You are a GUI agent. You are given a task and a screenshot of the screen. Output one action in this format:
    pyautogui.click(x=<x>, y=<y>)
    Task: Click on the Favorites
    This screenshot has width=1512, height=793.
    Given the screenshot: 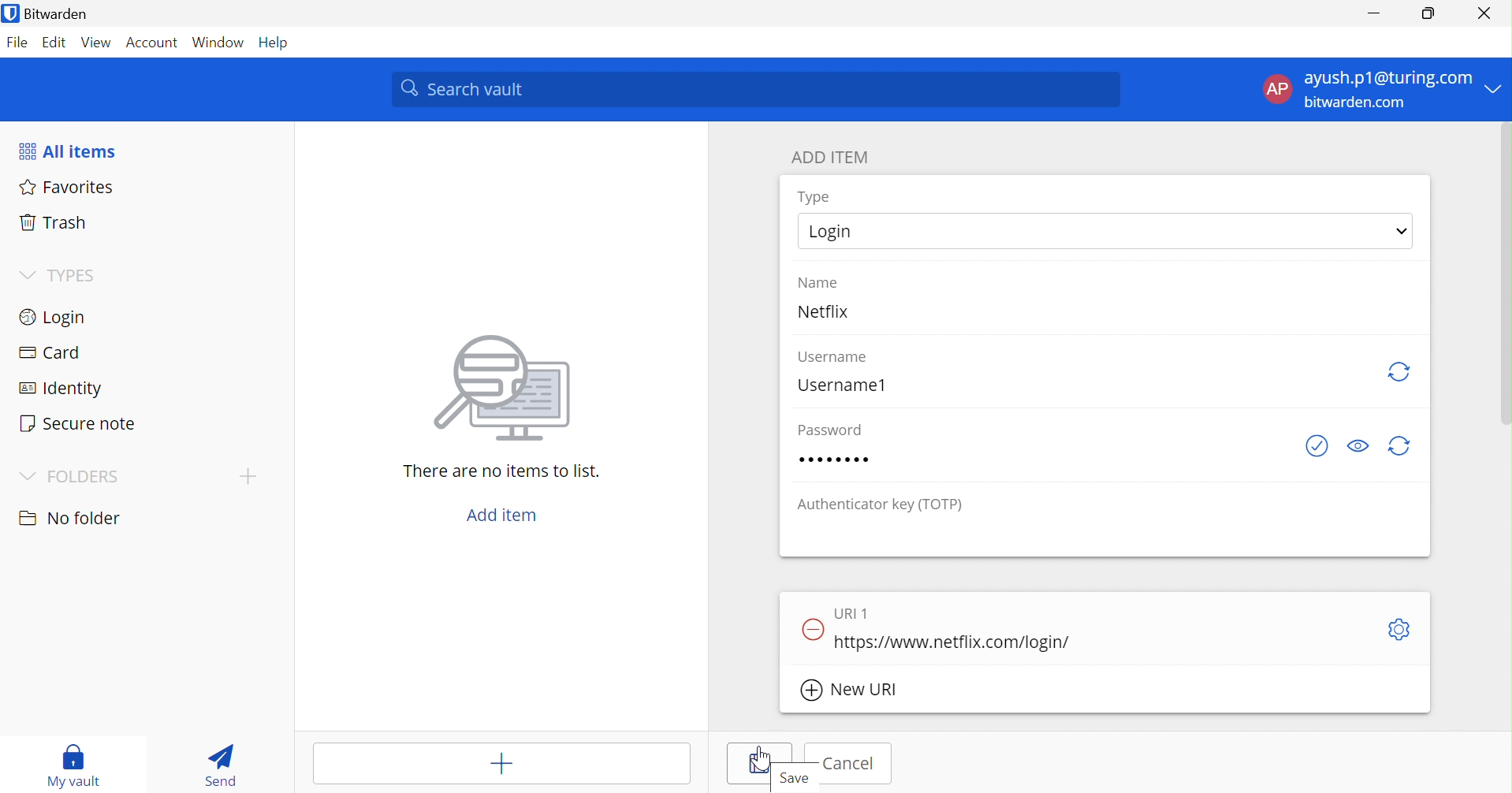 What is the action you would take?
    pyautogui.click(x=67, y=187)
    